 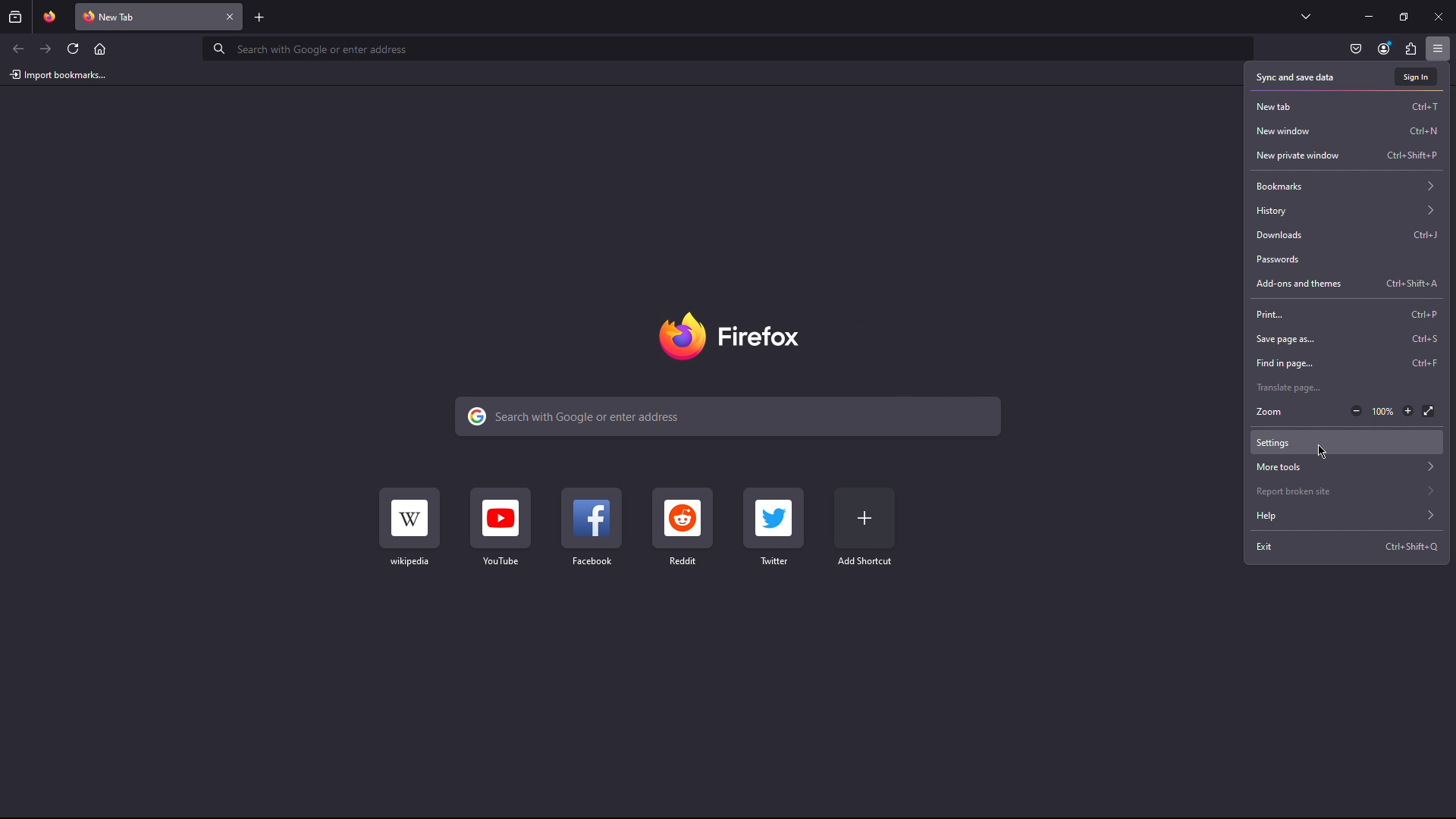 I want to click on Wikipedia, so click(x=409, y=526).